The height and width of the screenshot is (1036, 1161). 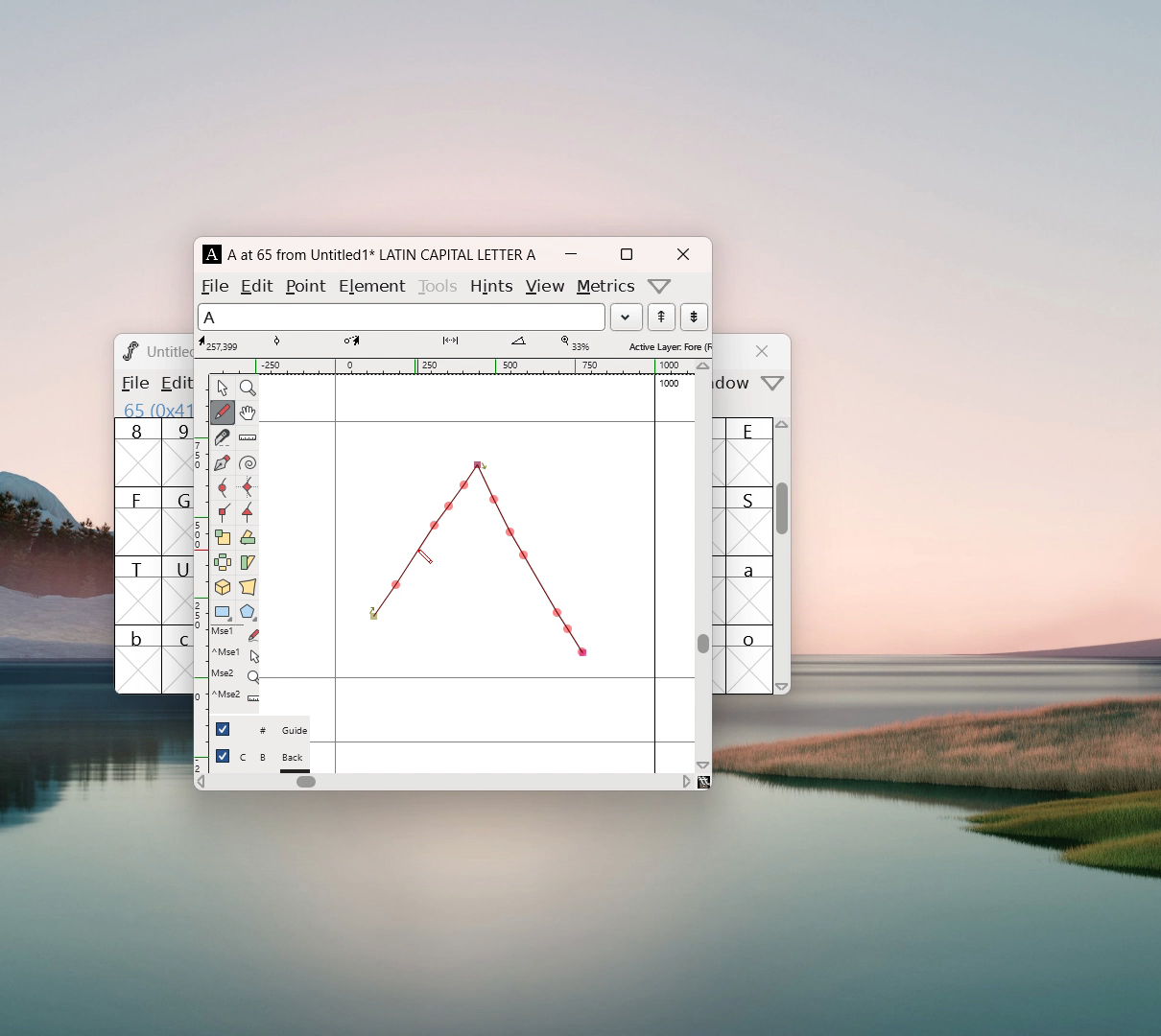 What do you see at coordinates (137, 453) in the screenshot?
I see `8` at bounding box center [137, 453].